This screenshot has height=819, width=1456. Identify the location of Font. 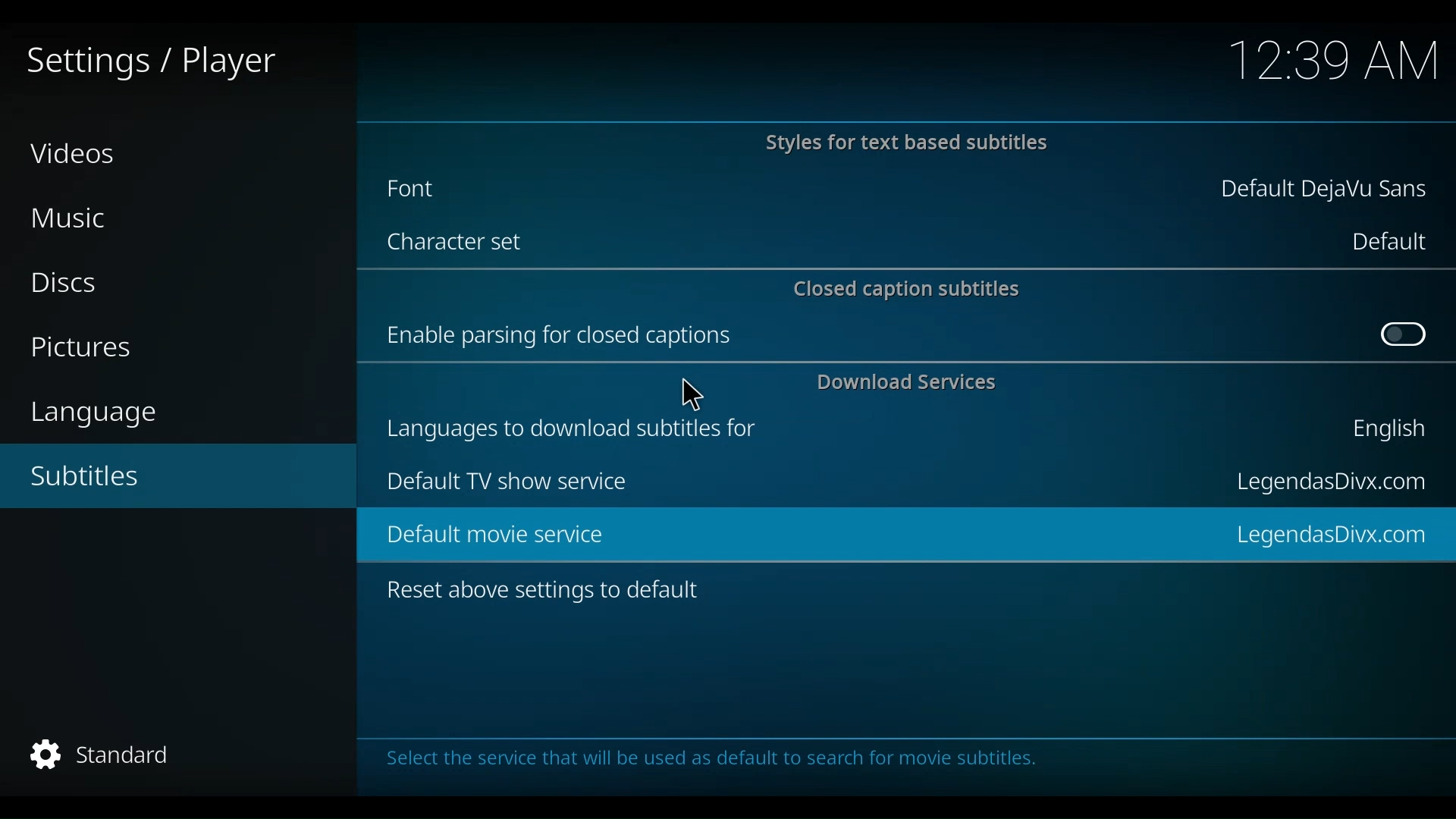
(430, 188).